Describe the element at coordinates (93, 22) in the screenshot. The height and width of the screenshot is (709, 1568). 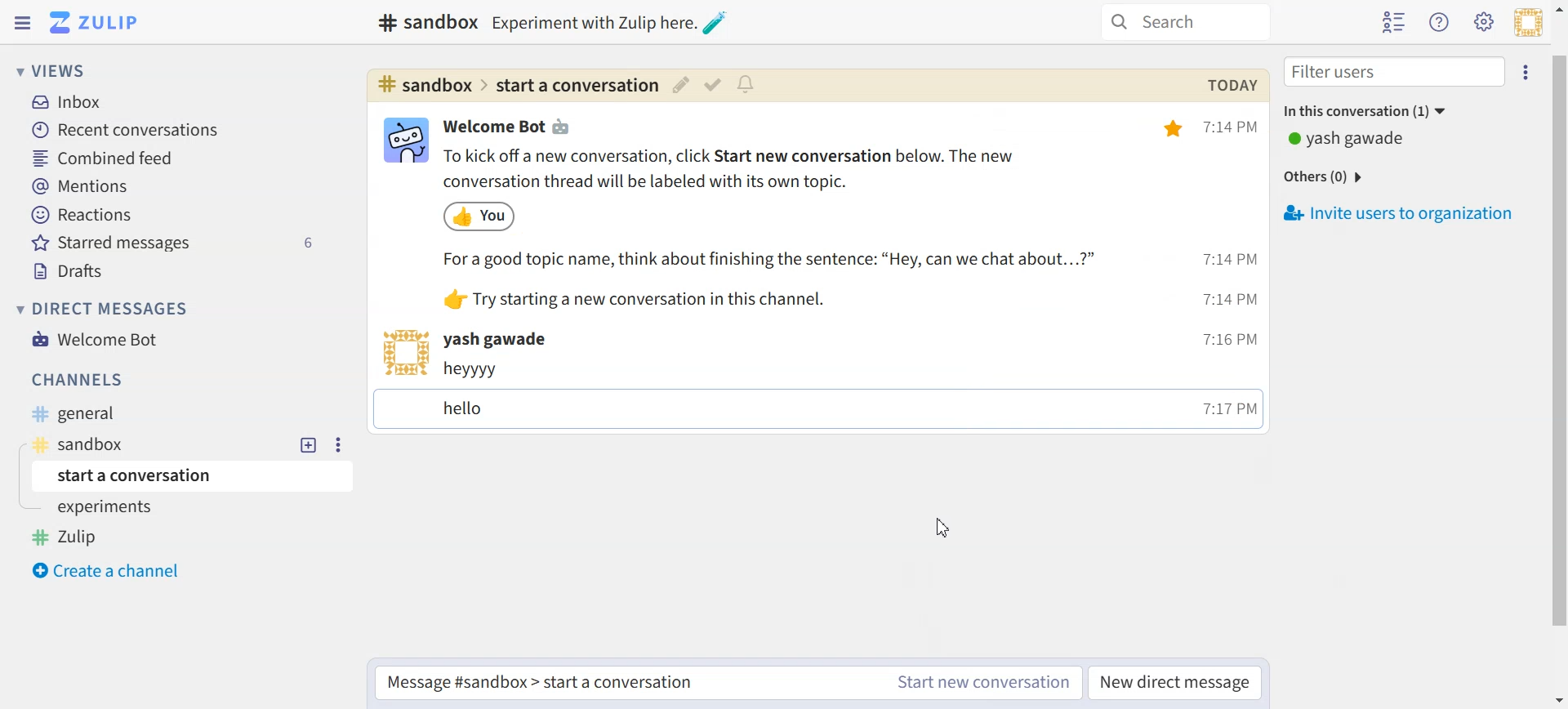
I see `Logo` at that location.